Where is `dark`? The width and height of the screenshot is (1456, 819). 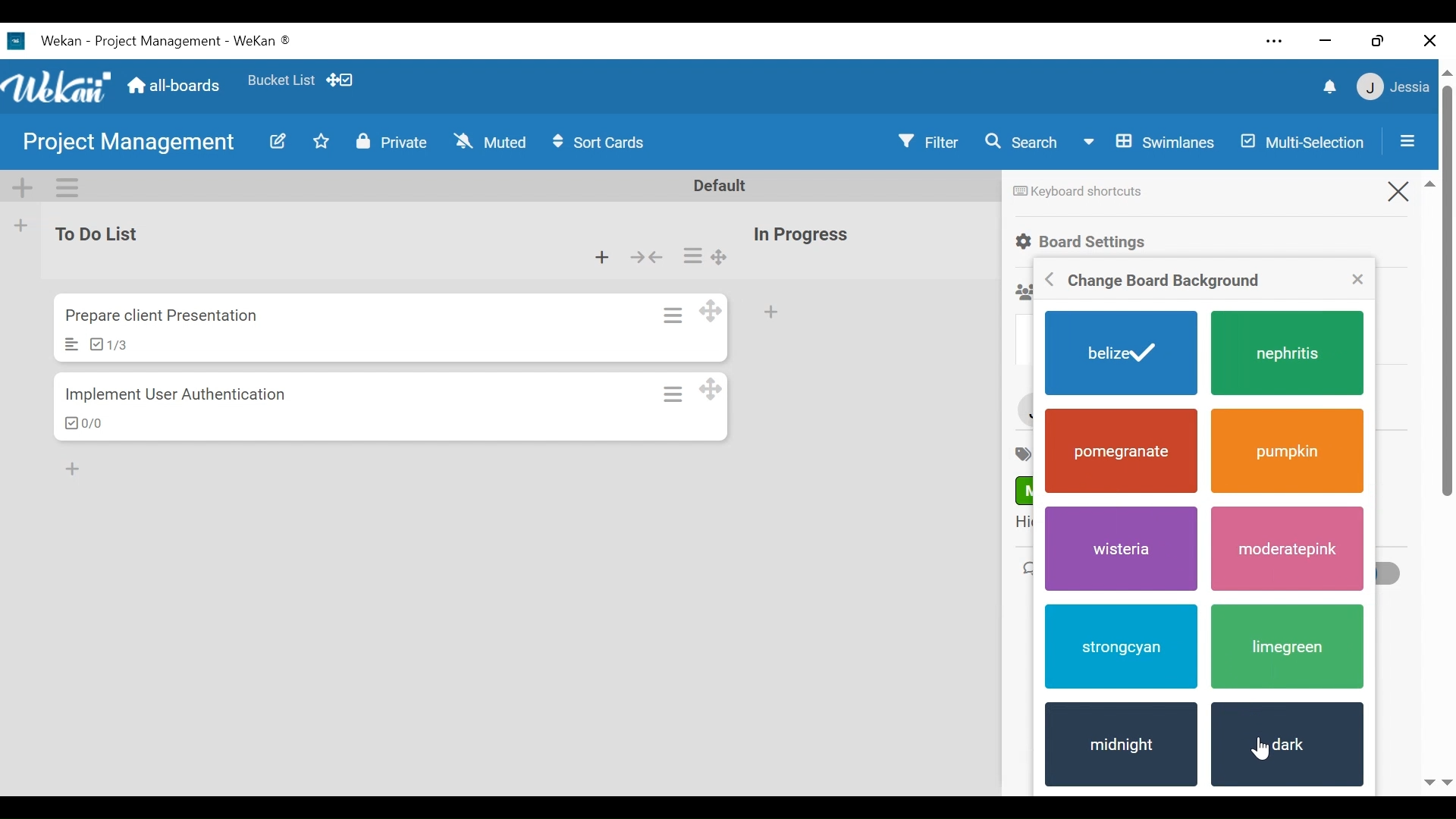 dark is located at coordinates (1287, 744).